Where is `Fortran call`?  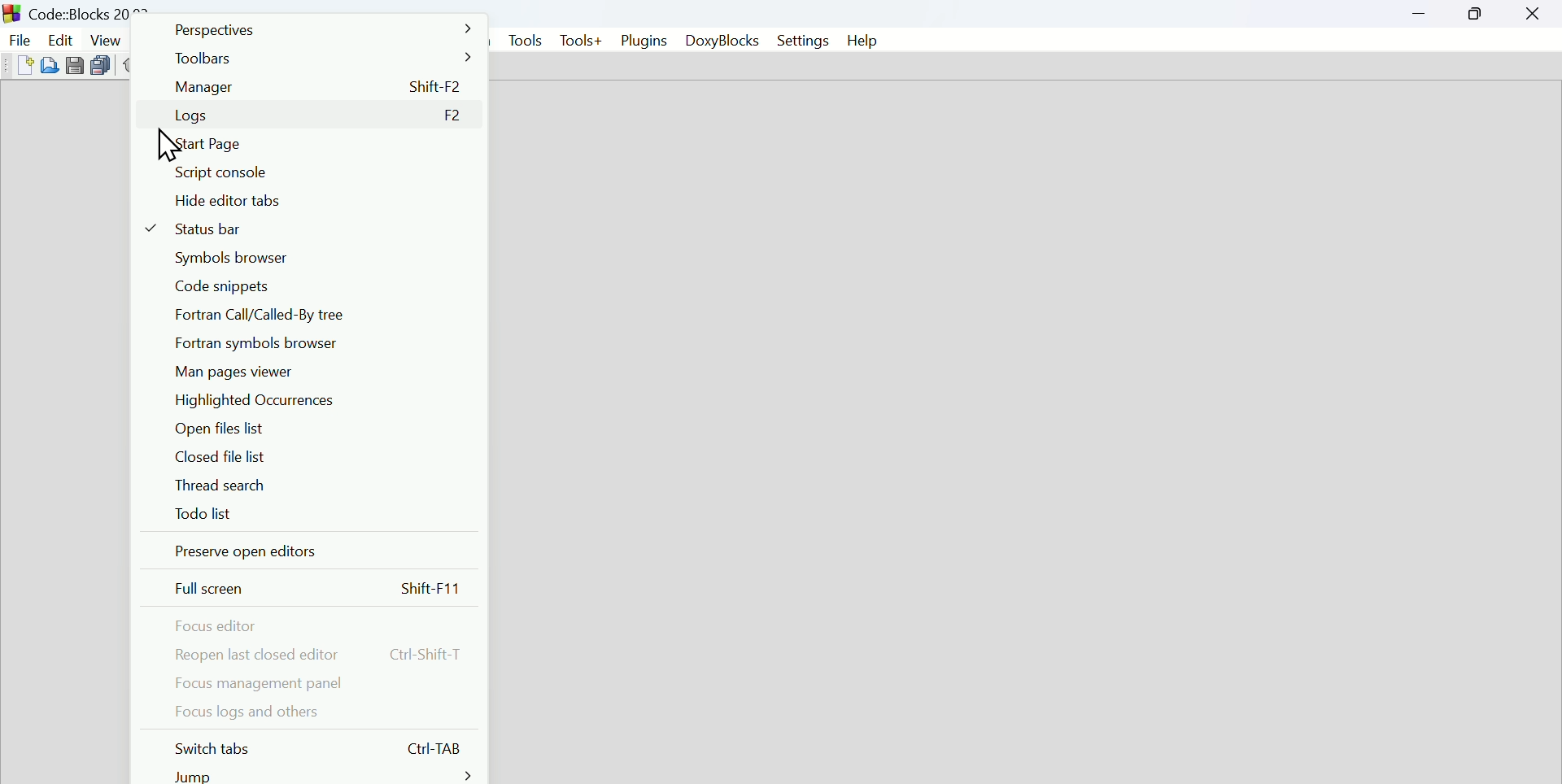 Fortran call is located at coordinates (320, 316).